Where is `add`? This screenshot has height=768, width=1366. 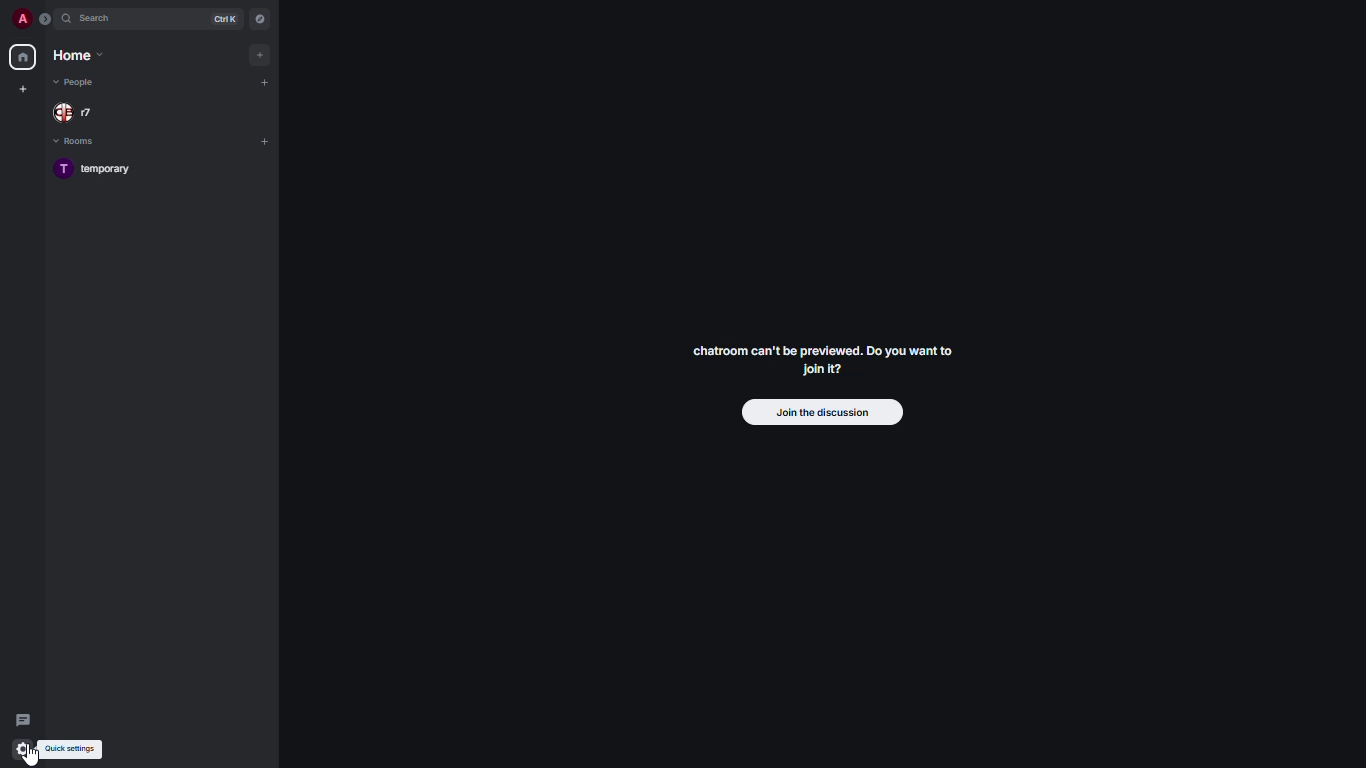 add is located at coordinates (265, 80).